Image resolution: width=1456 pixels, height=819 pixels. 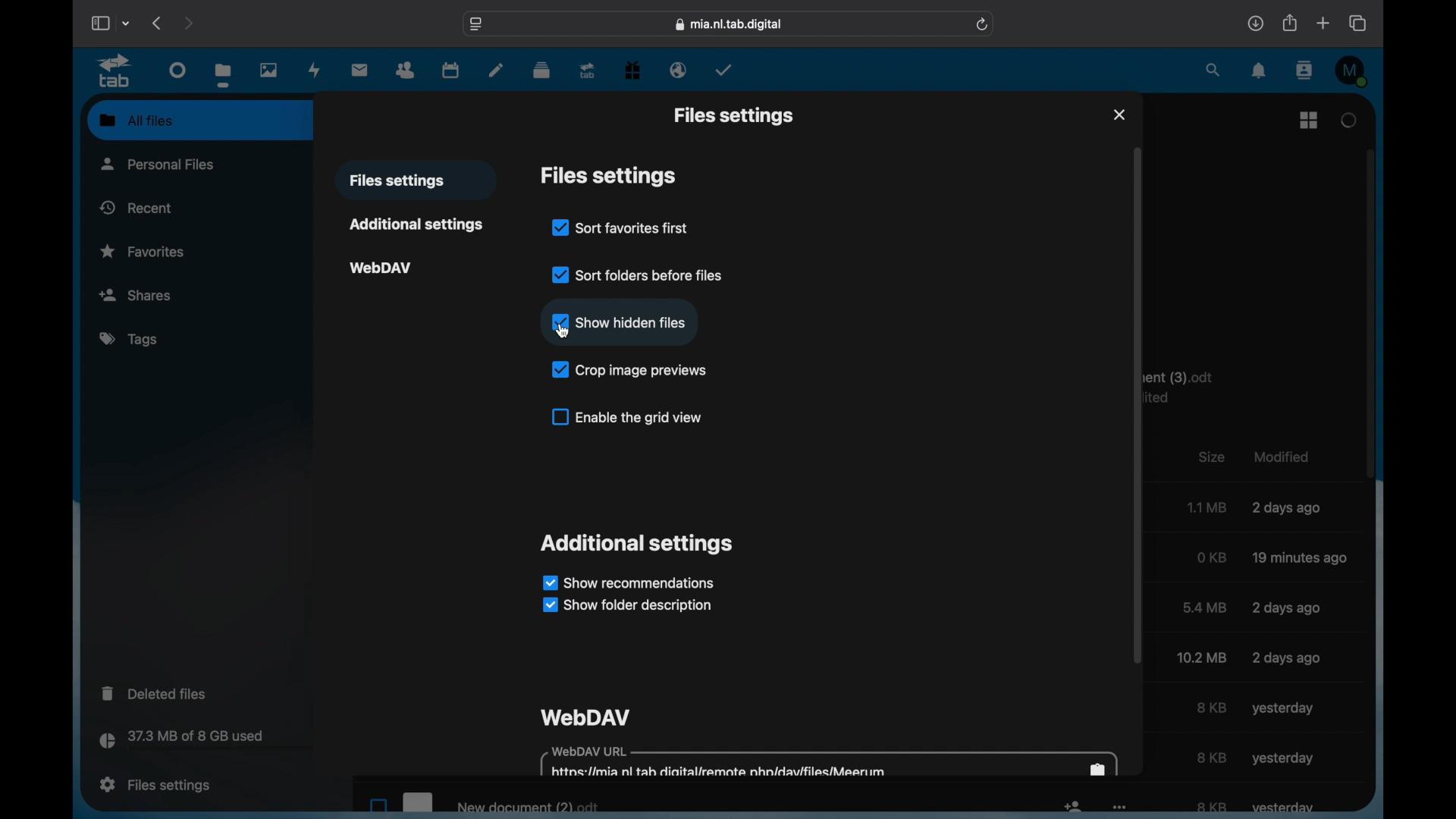 I want to click on crop image previews, so click(x=629, y=371).